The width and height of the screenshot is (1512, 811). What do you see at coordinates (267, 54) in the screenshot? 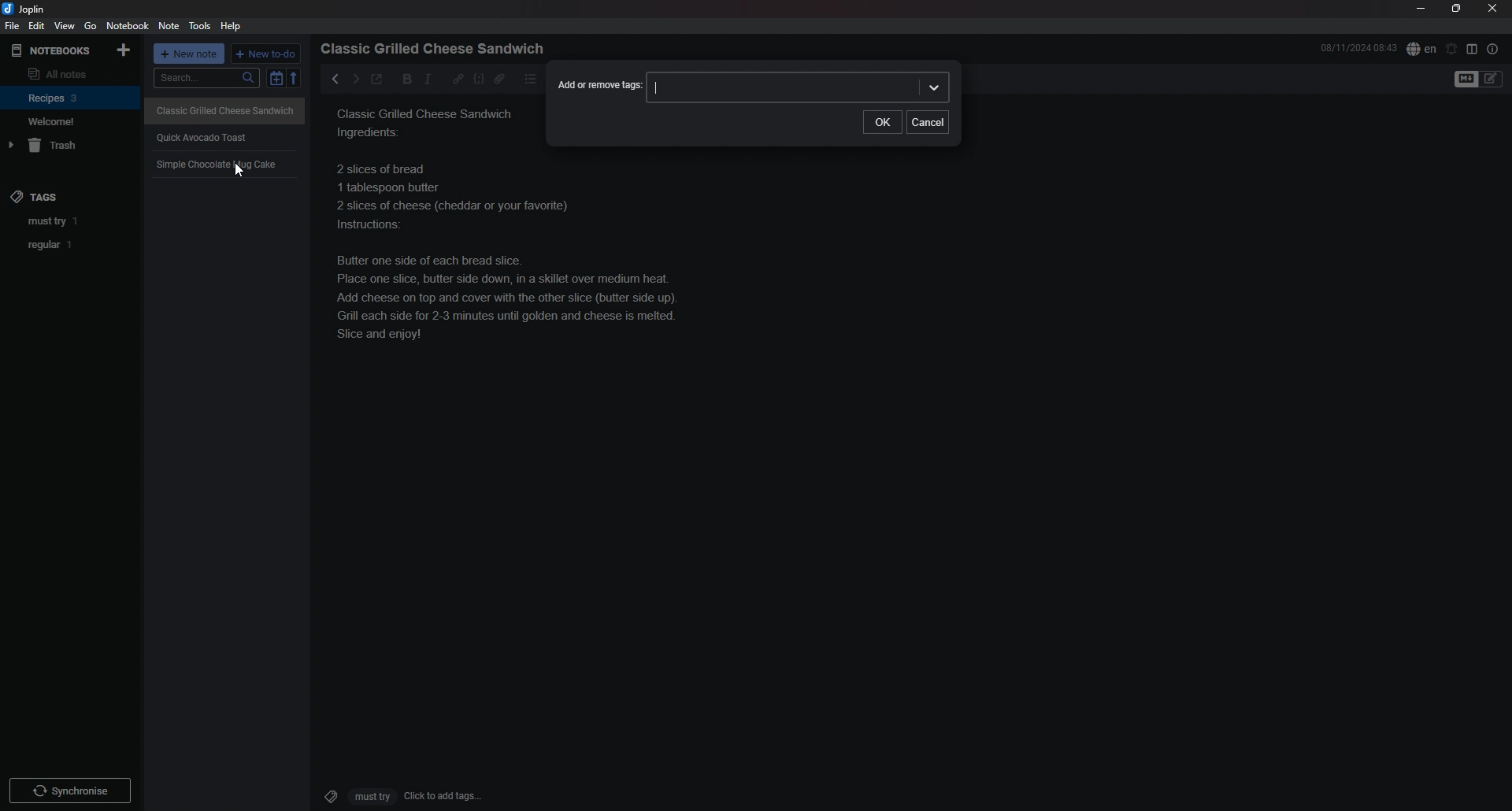
I see `new todo` at bounding box center [267, 54].